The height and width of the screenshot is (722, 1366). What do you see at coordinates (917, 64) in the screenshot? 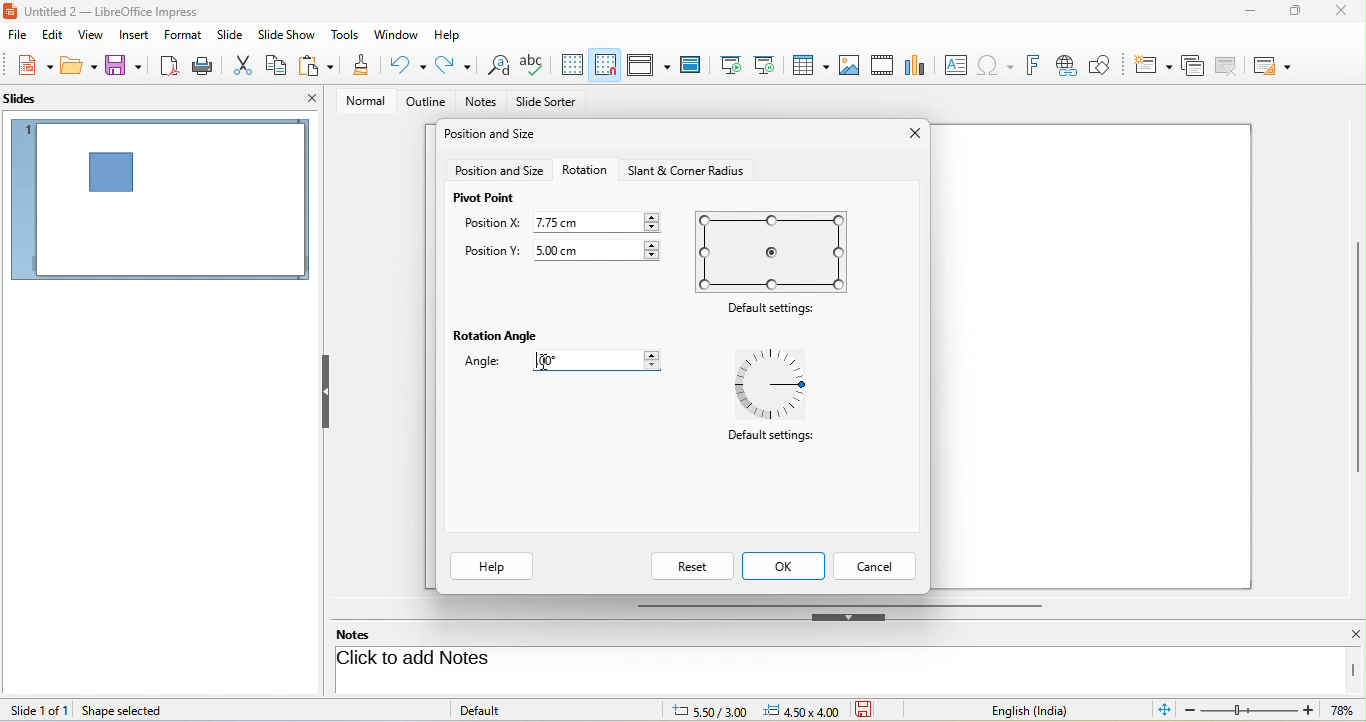
I see `chart` at bounding box center [917, 64].